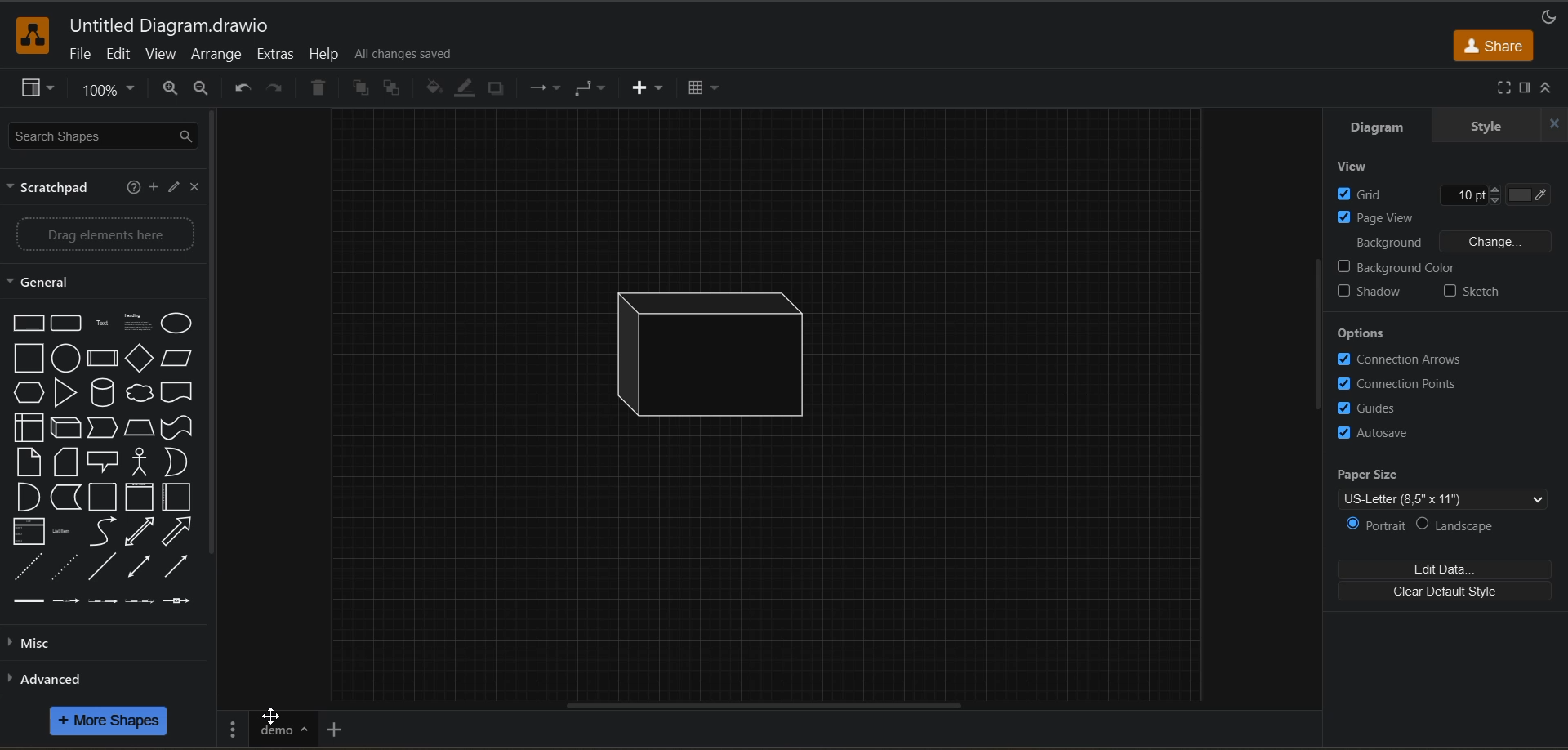  I want to click on Grid color, so click(1530, 195).